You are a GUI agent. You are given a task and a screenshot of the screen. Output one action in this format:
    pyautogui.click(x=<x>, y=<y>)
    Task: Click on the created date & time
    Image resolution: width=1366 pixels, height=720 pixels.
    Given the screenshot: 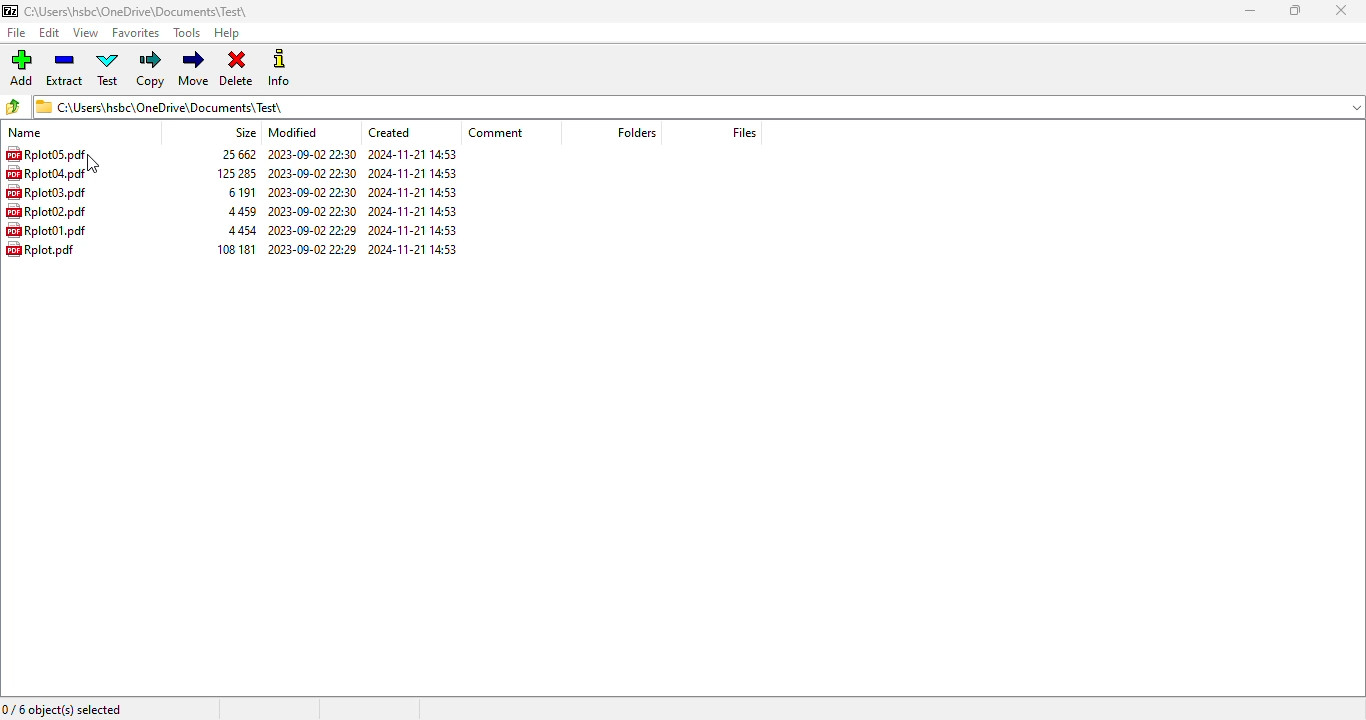 What is the action you would take?
    pyautogui.click(x=414, y=174)
    